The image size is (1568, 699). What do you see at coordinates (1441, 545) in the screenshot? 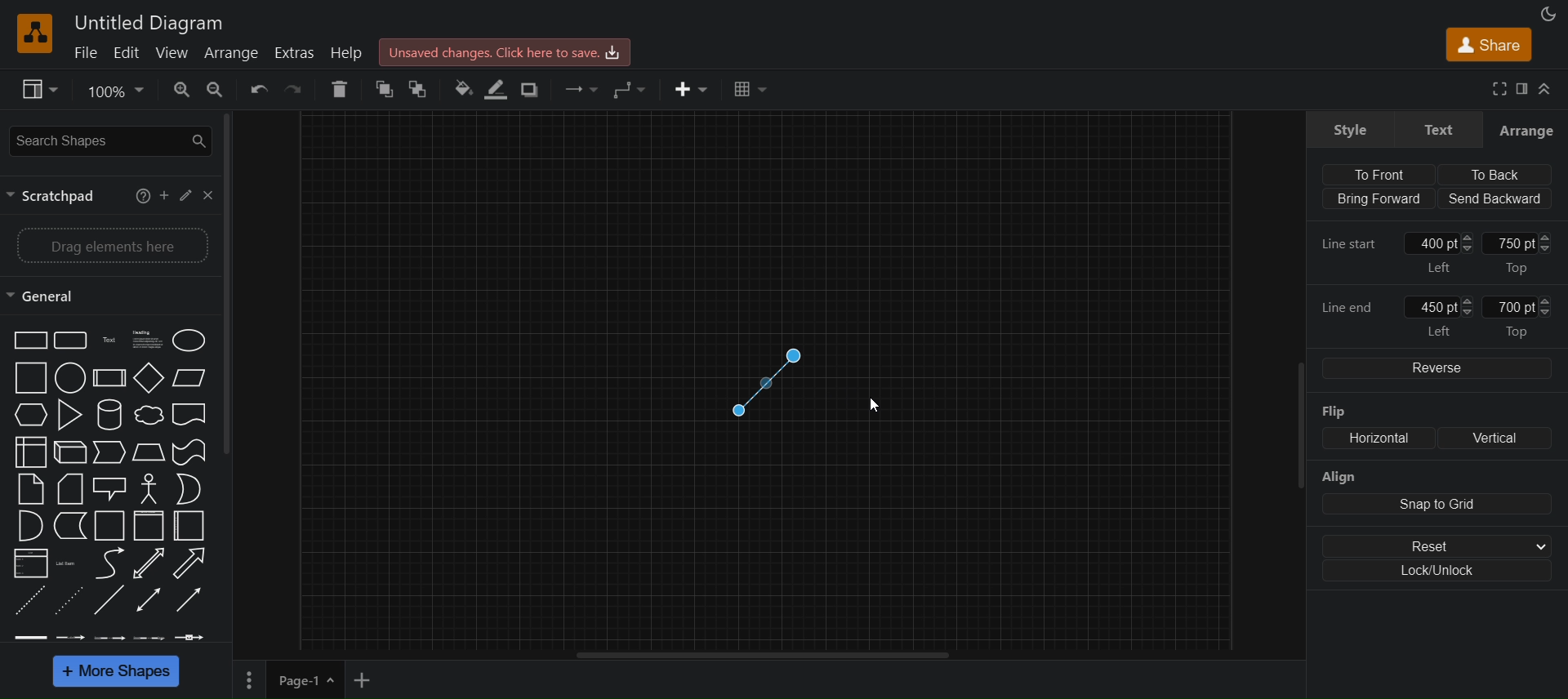
I see `reset` at bounding box center [1441, 545].